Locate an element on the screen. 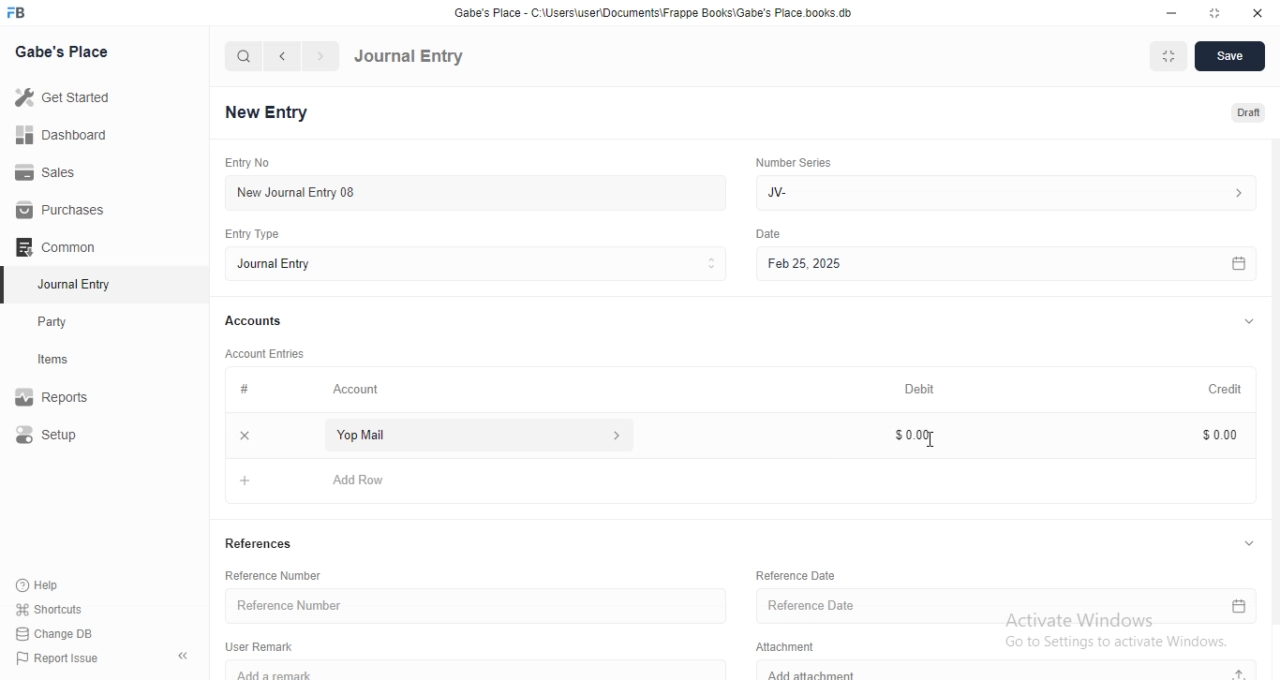  Items is located at coordinates (72, 361).